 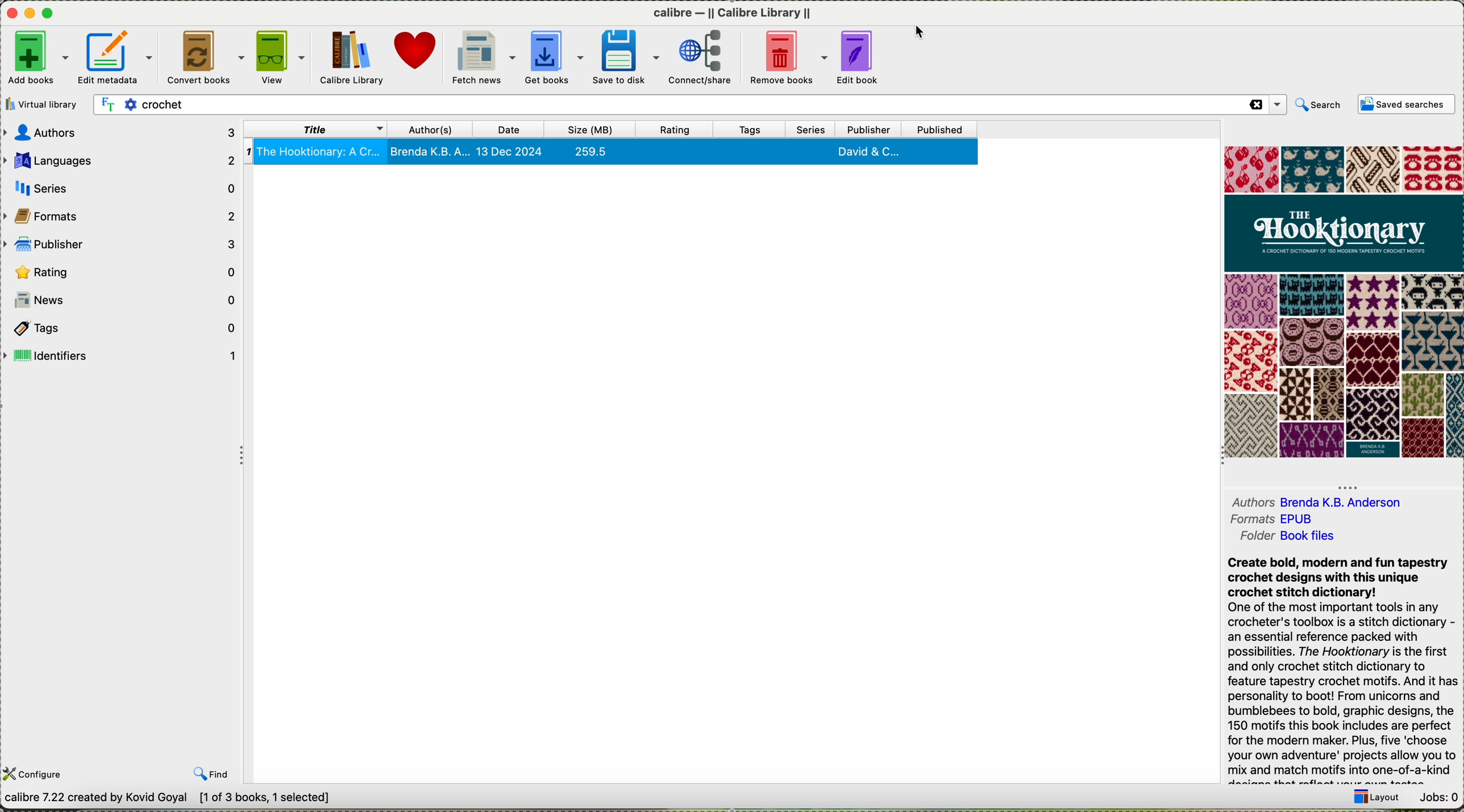 I want to click on donate, so click(x=416, y=51).